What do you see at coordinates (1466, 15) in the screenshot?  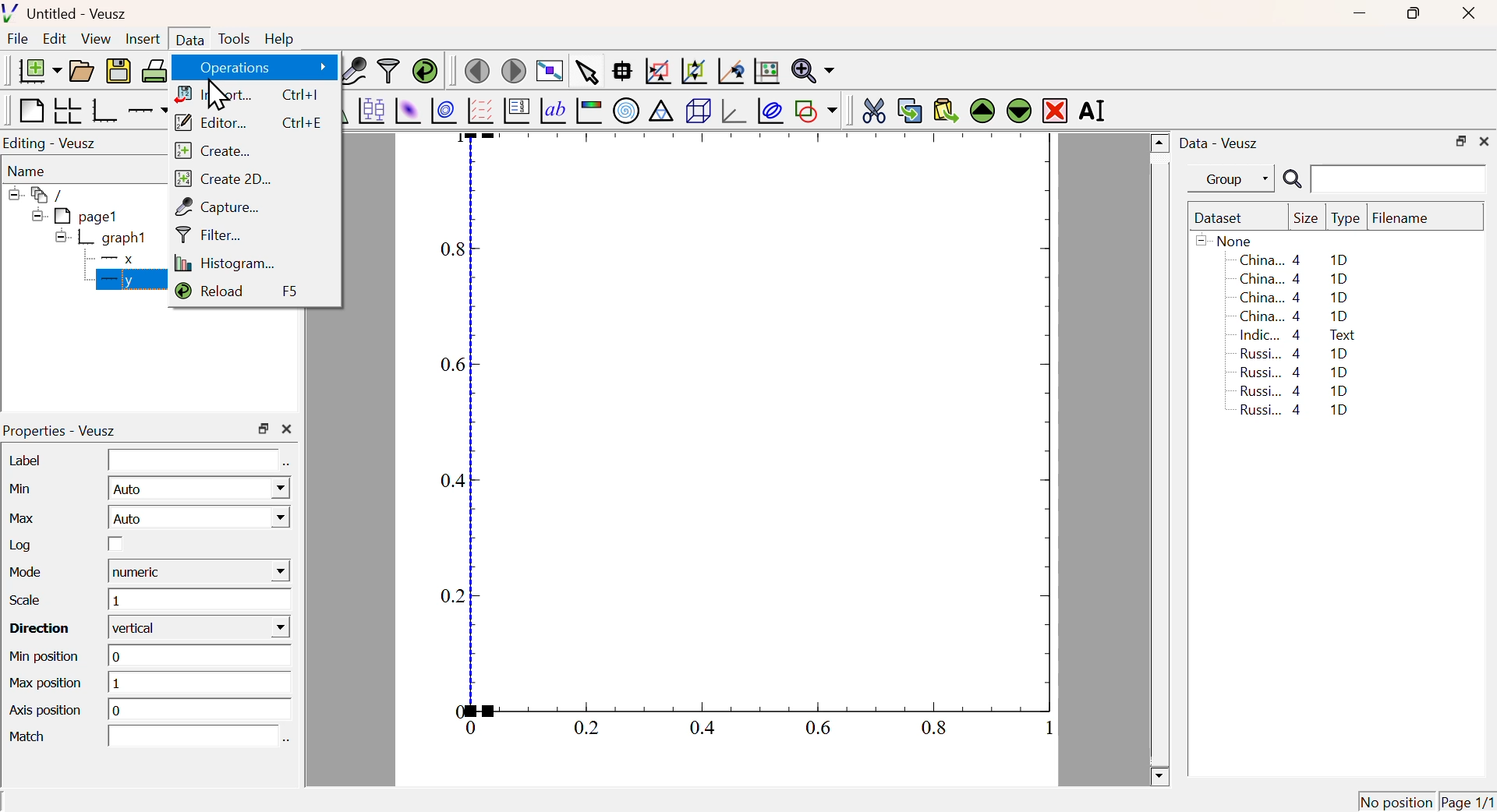 I see `Close` at bounding box center [1466, 15].